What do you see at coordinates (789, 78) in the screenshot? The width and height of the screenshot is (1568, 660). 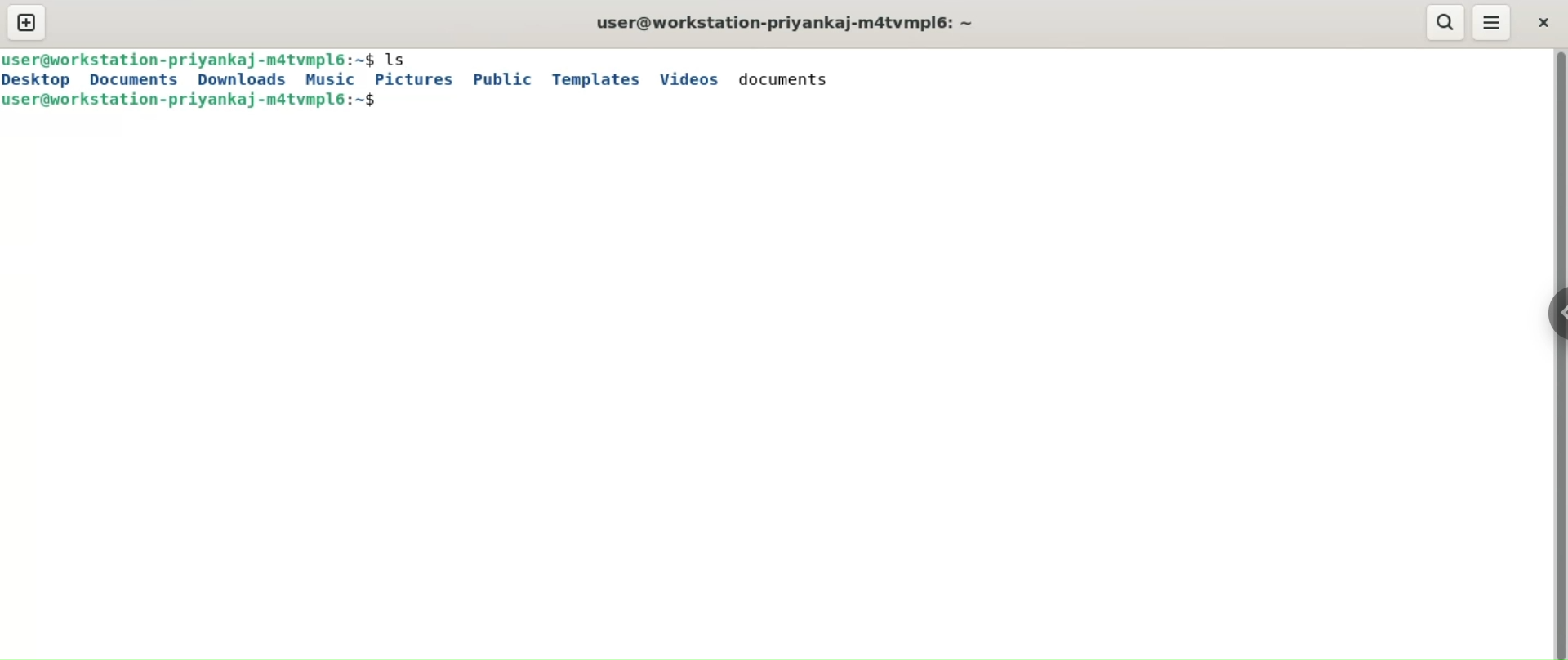 I see `documents` at bounding box center [789, 78].